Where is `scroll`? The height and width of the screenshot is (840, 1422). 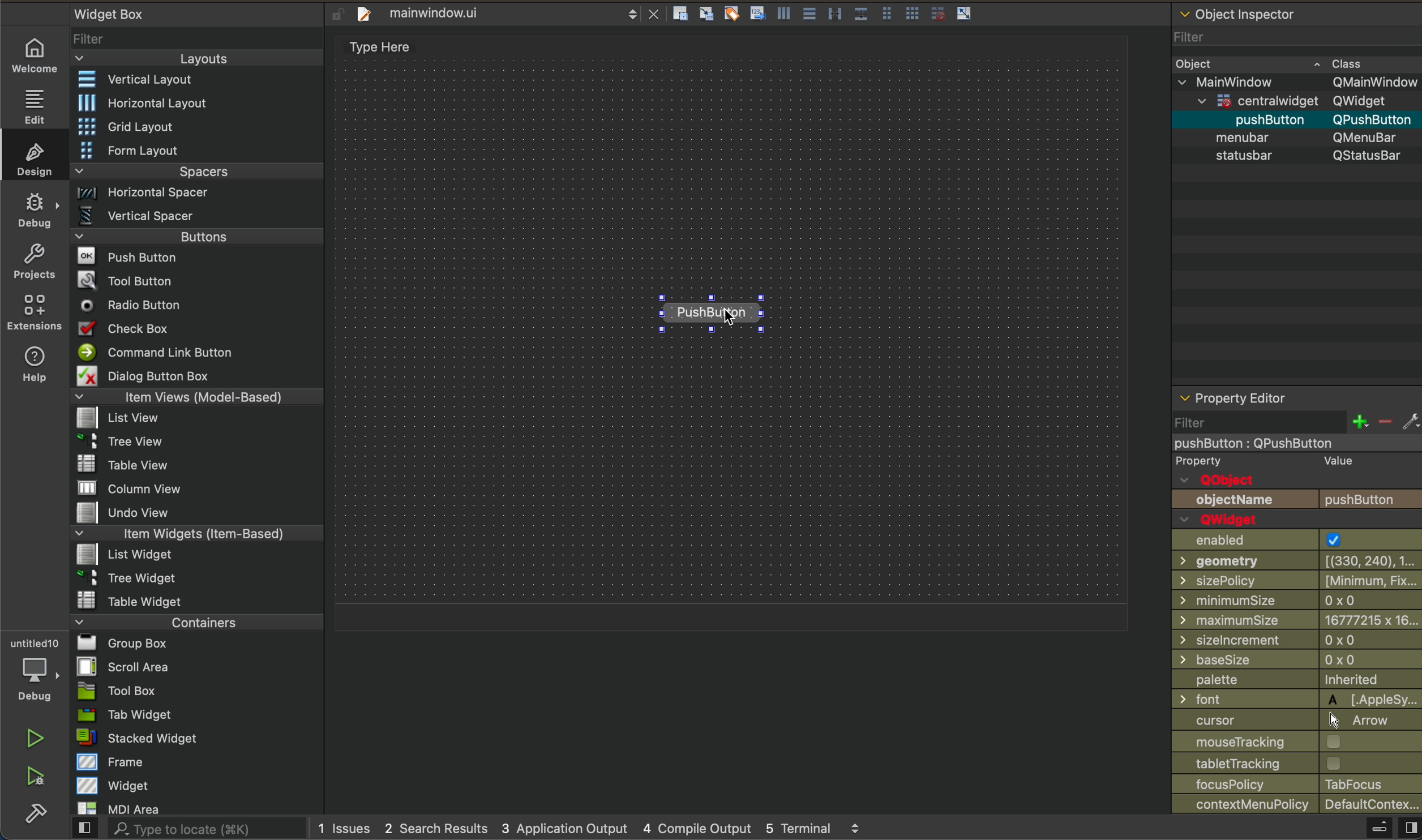
scroll is located at coordinates (631, 16).